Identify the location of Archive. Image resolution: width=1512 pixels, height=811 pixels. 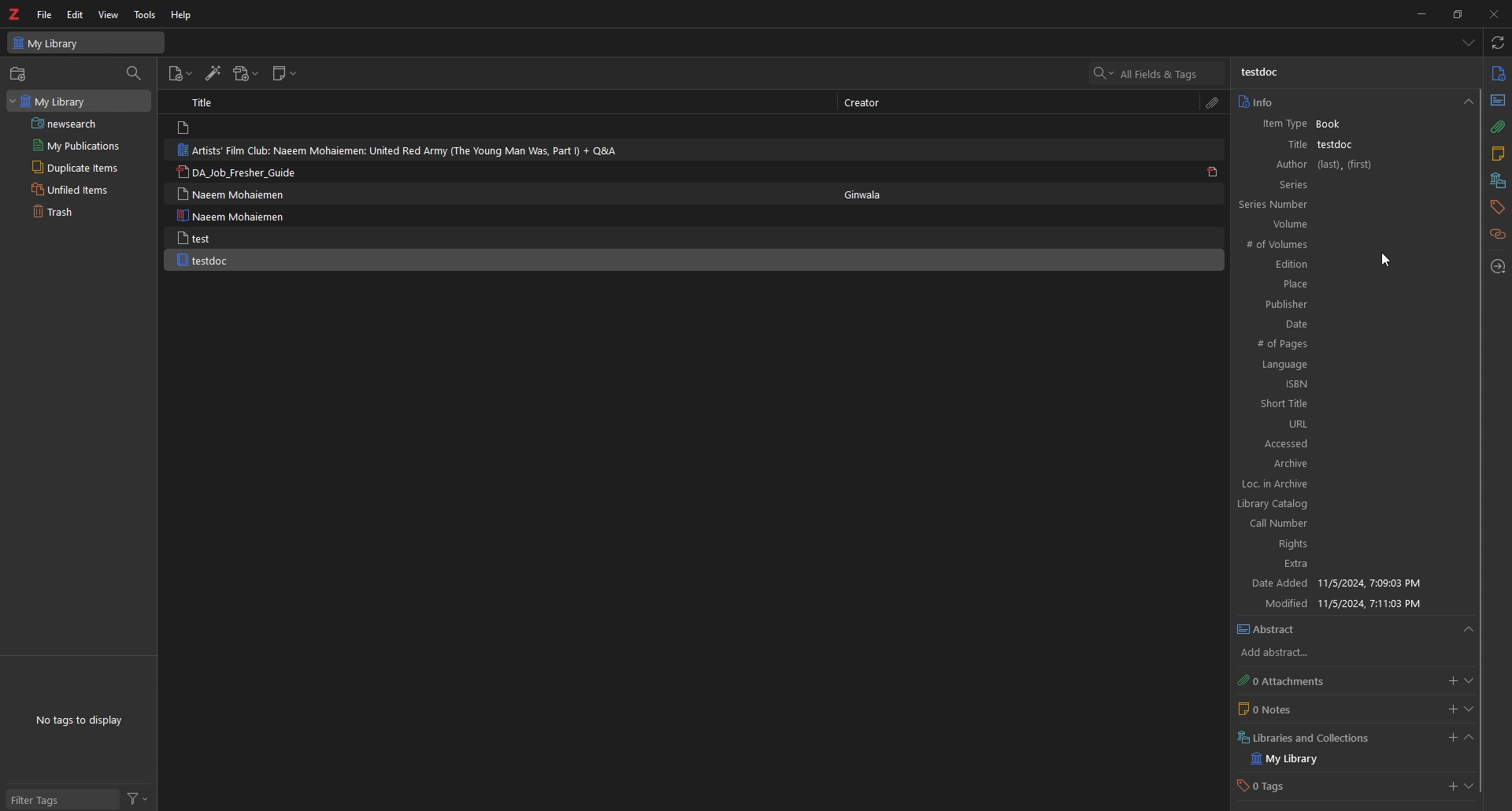
(1298, 463).